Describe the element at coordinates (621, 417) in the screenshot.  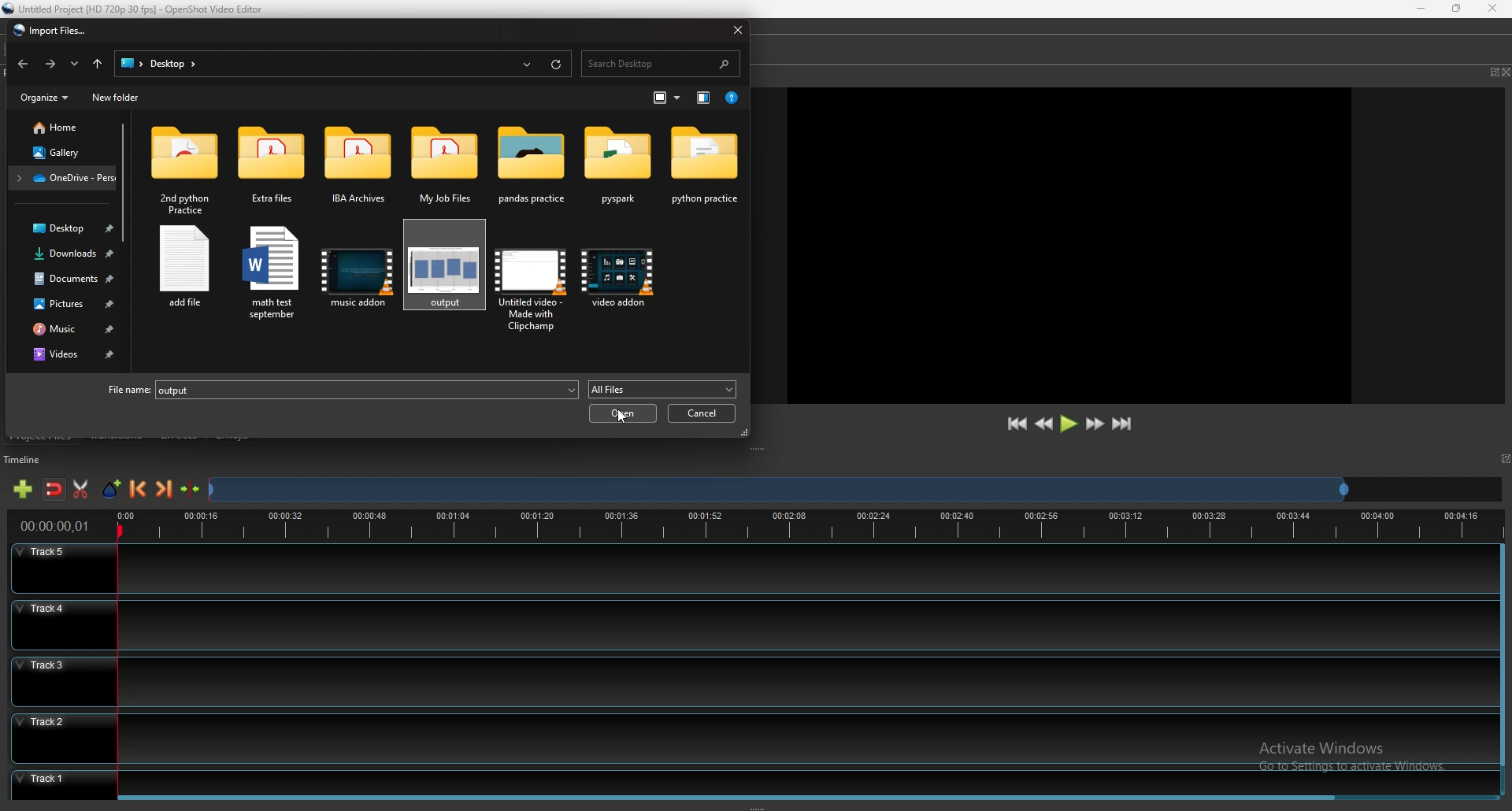
I see `cursor` at that location.